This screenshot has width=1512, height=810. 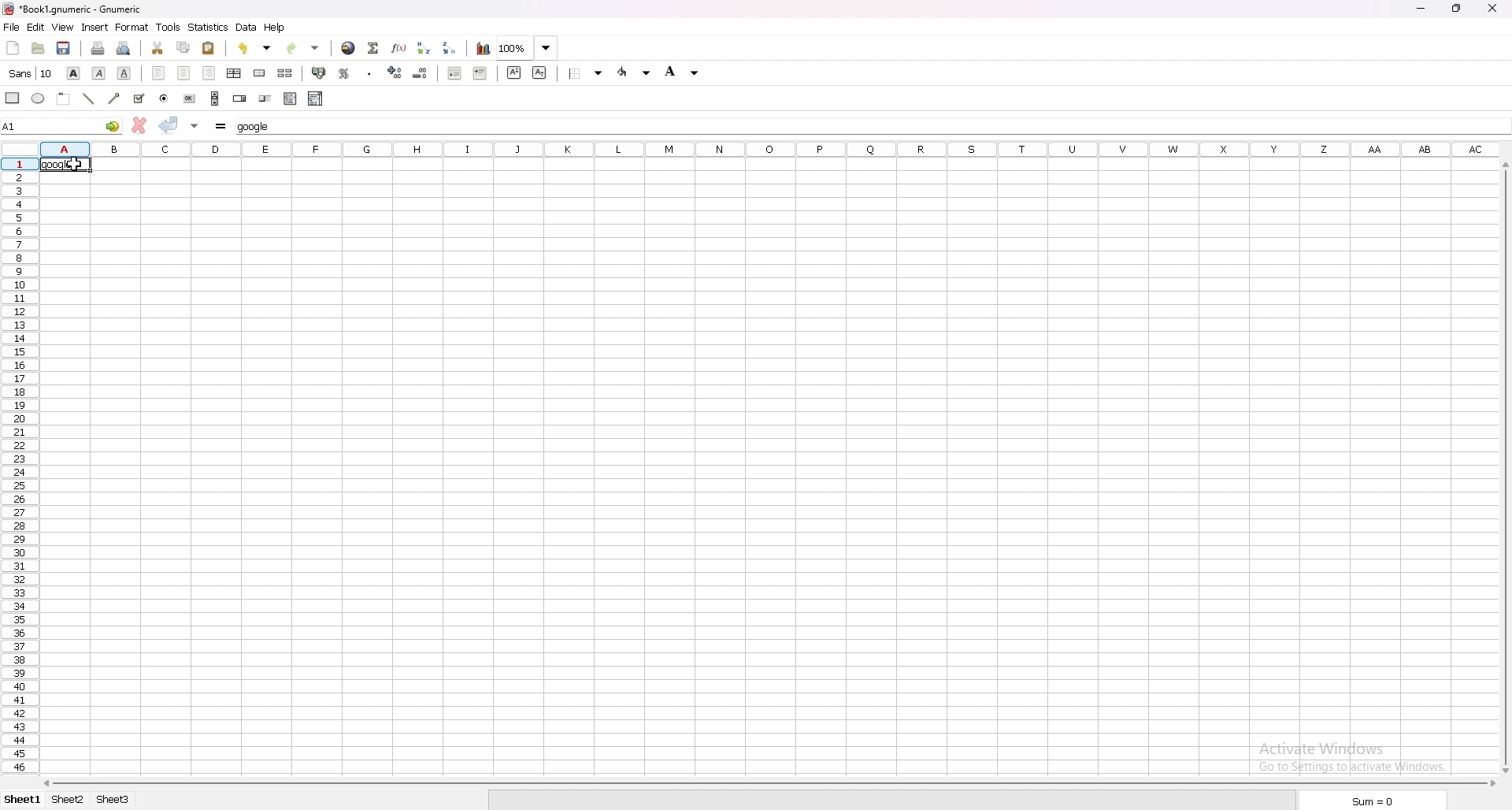 What do you see at coordinates (1495, 9) in the screenshot?
I see `c` at bounding box center [1495, 9].